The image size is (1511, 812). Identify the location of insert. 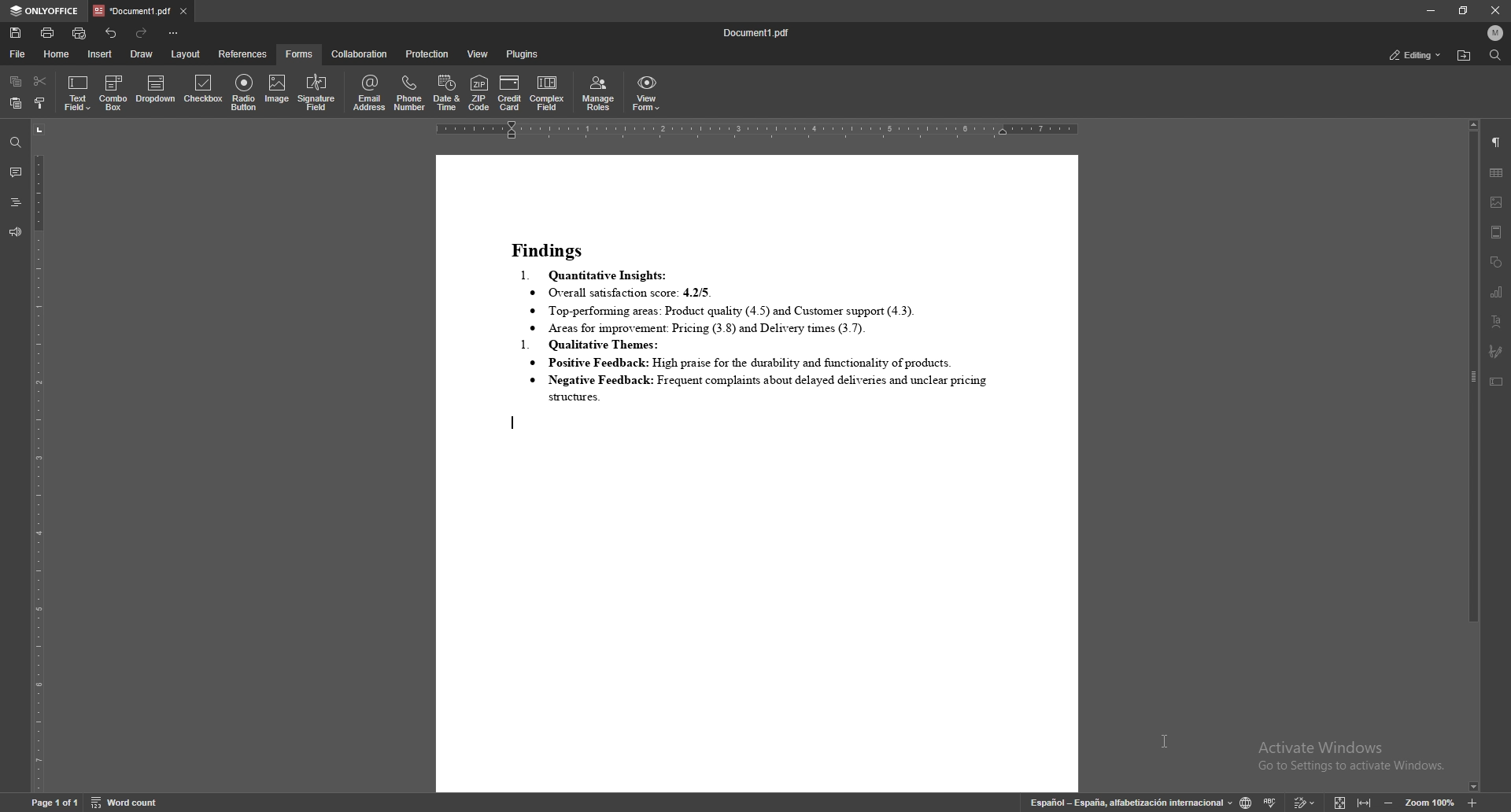
(99, 54).